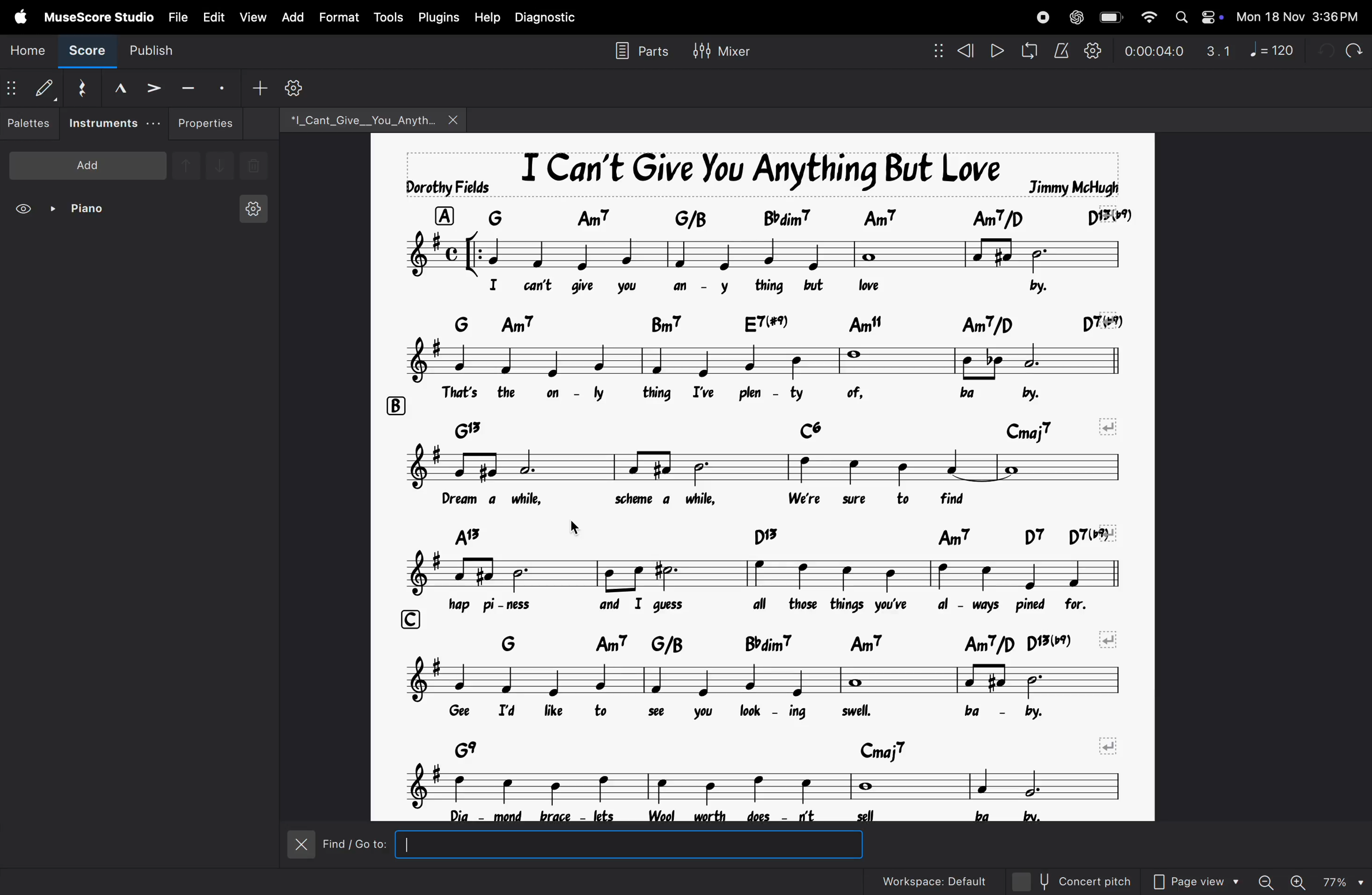 This screenshot has width=1372, height=895. What do you see at coordinates (933, 879) in the screenshot?
I see `workspace default` at bounding box center [933, 879].